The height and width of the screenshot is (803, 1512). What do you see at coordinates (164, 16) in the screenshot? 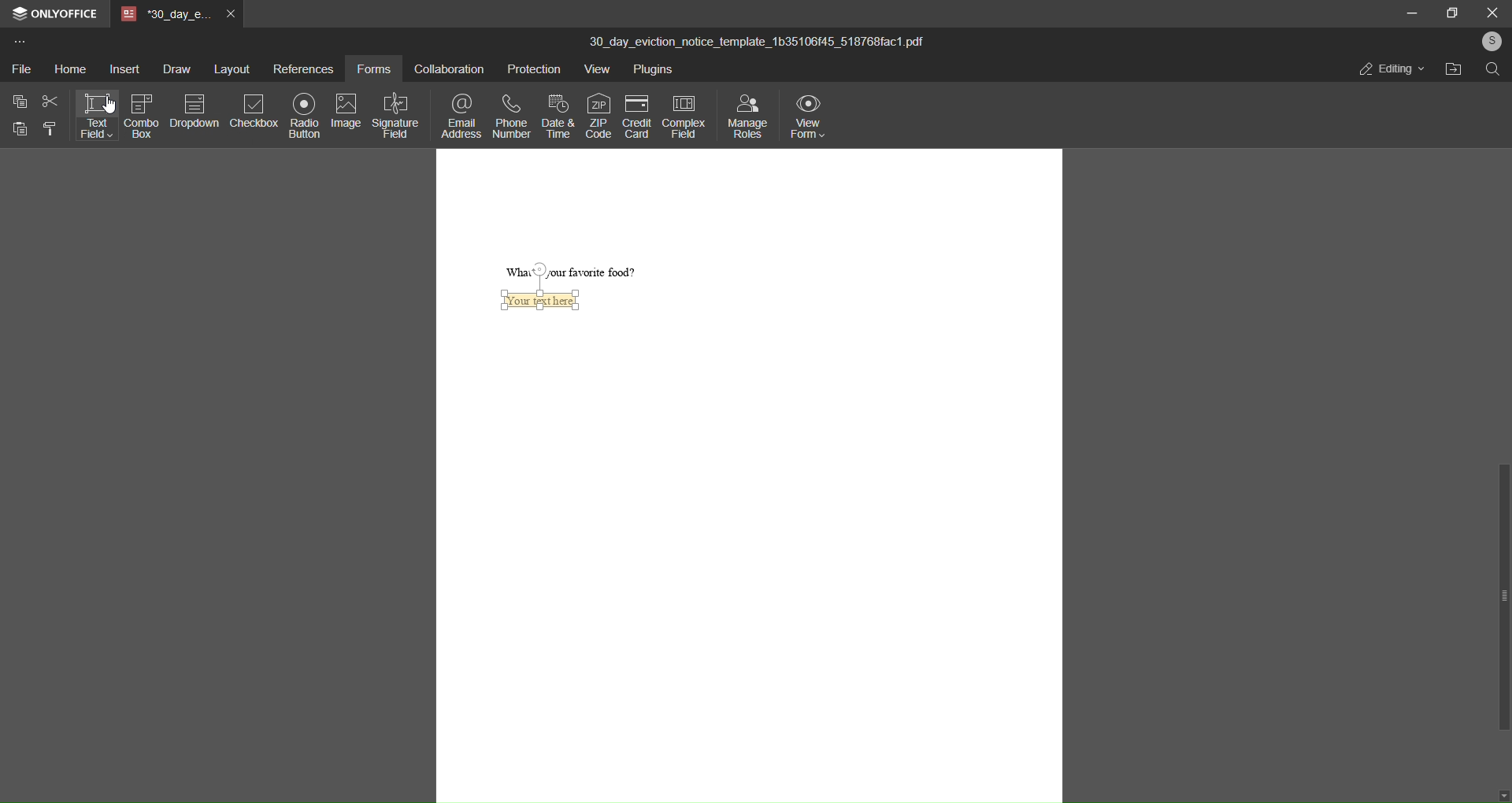
I see `tab name` at bounding box center [164, 16].